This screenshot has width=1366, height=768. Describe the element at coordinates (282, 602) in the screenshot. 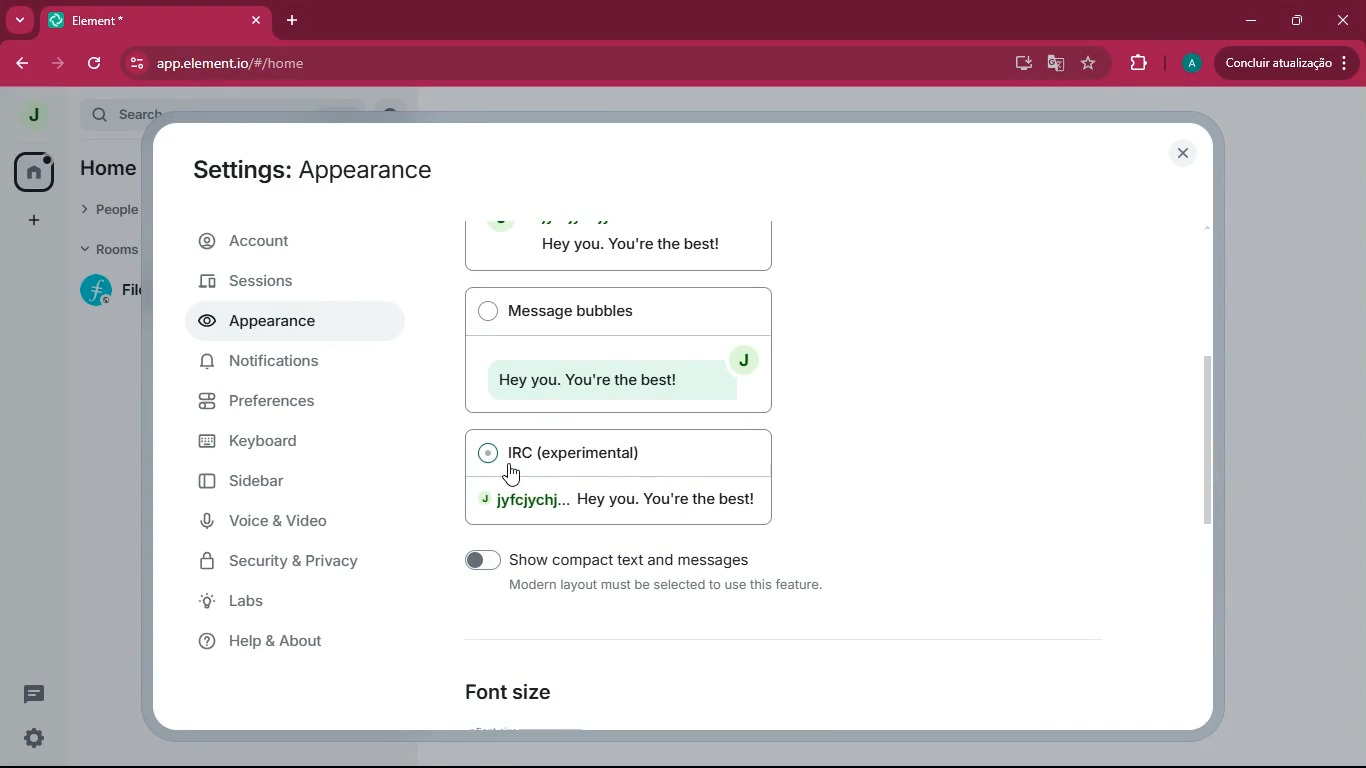

I see `labs` at that location.